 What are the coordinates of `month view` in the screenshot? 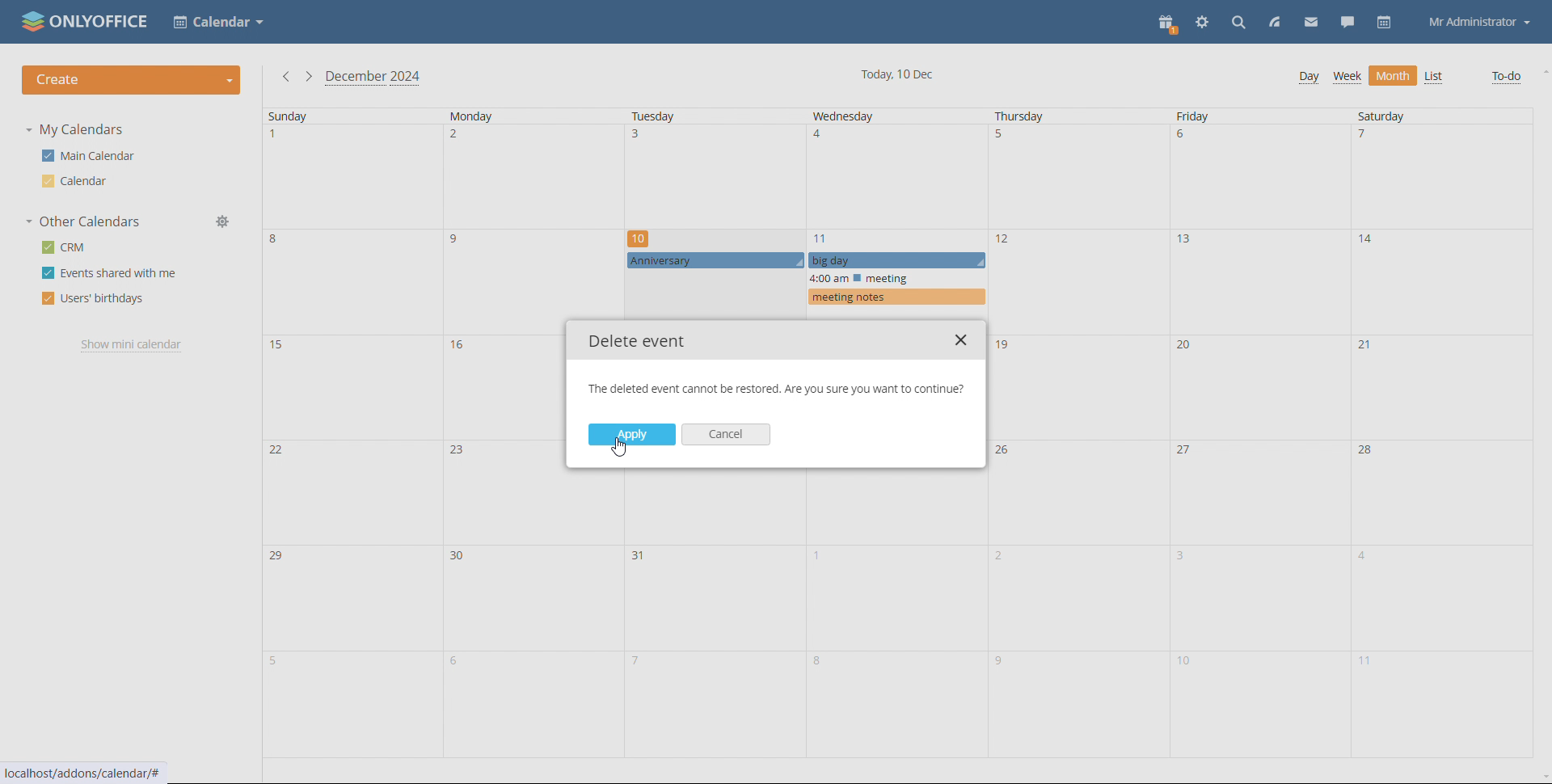 It's located at (1393, 75).